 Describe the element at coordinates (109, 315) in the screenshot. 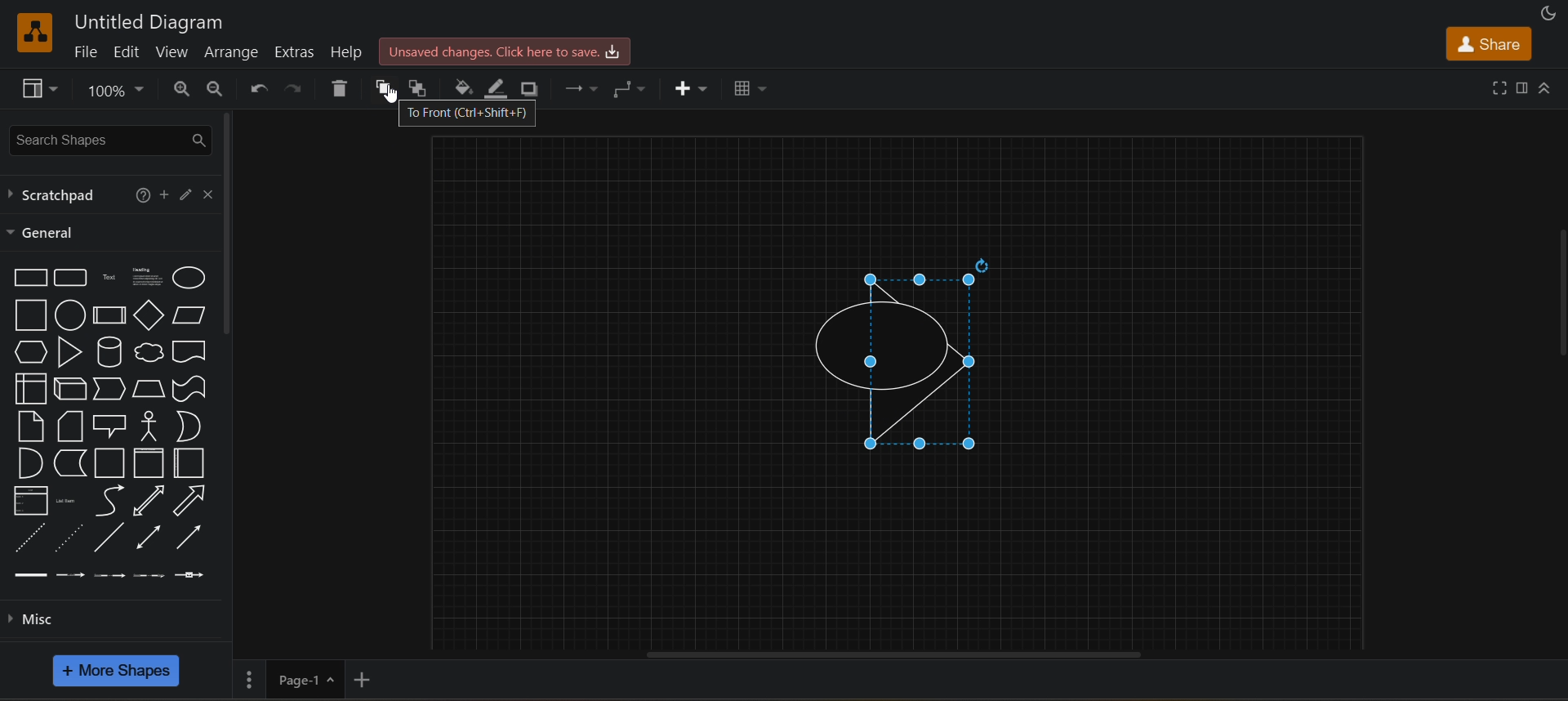

I see `process` at that location.